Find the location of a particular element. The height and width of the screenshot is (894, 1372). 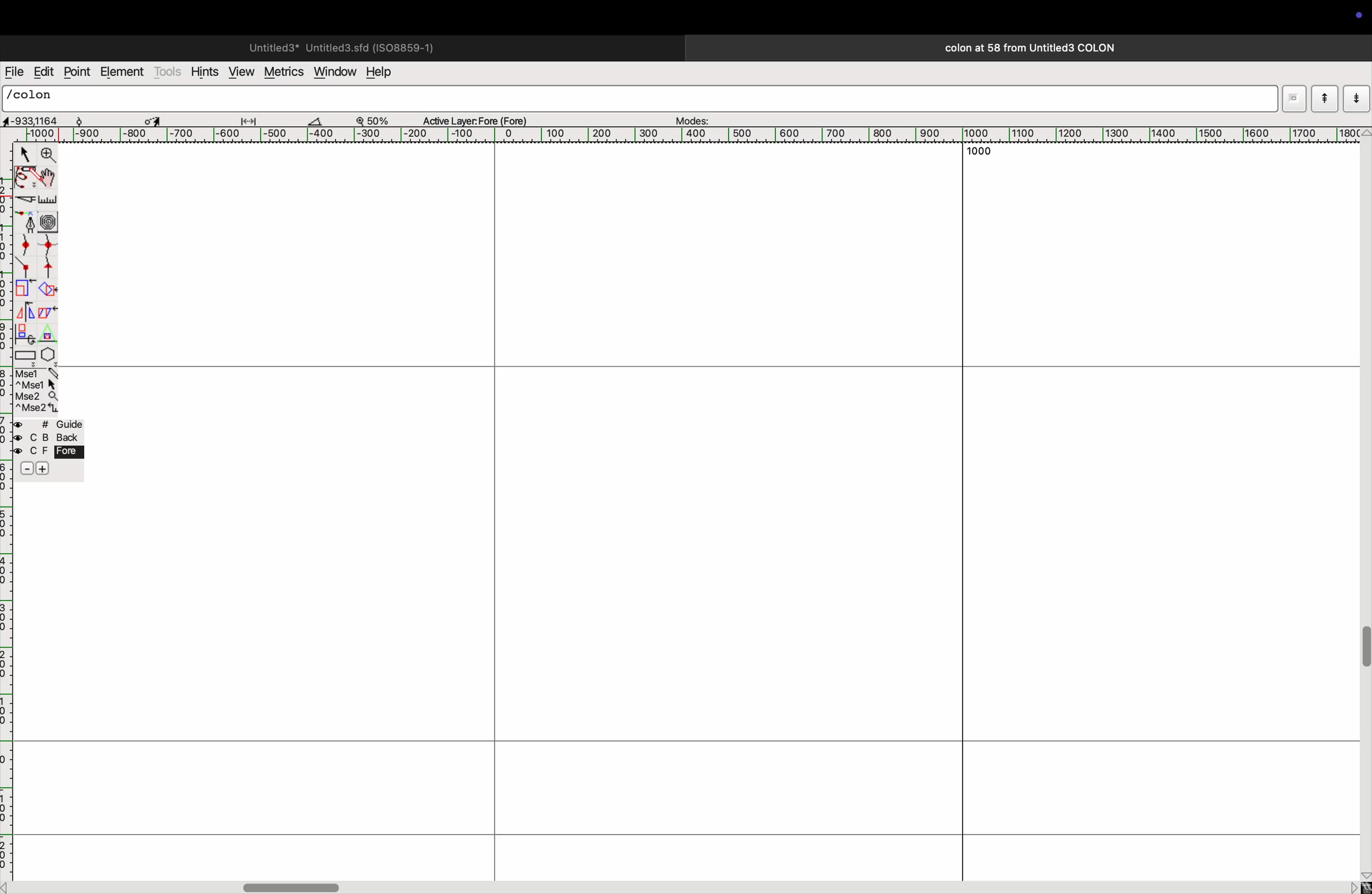

file is located at coordinates (14, 72).